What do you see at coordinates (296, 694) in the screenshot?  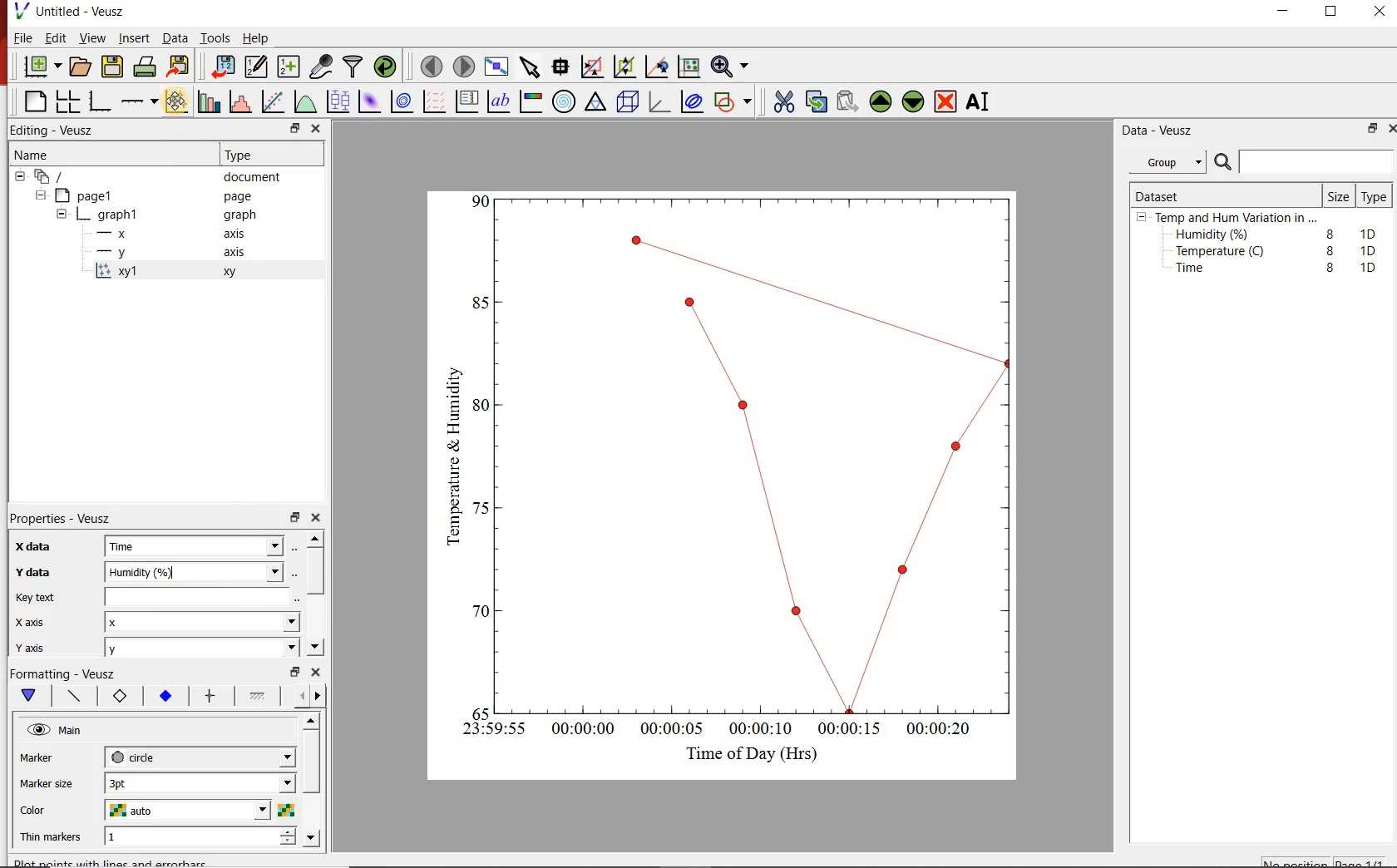 I see `go back` at bounding box center [296, 694].